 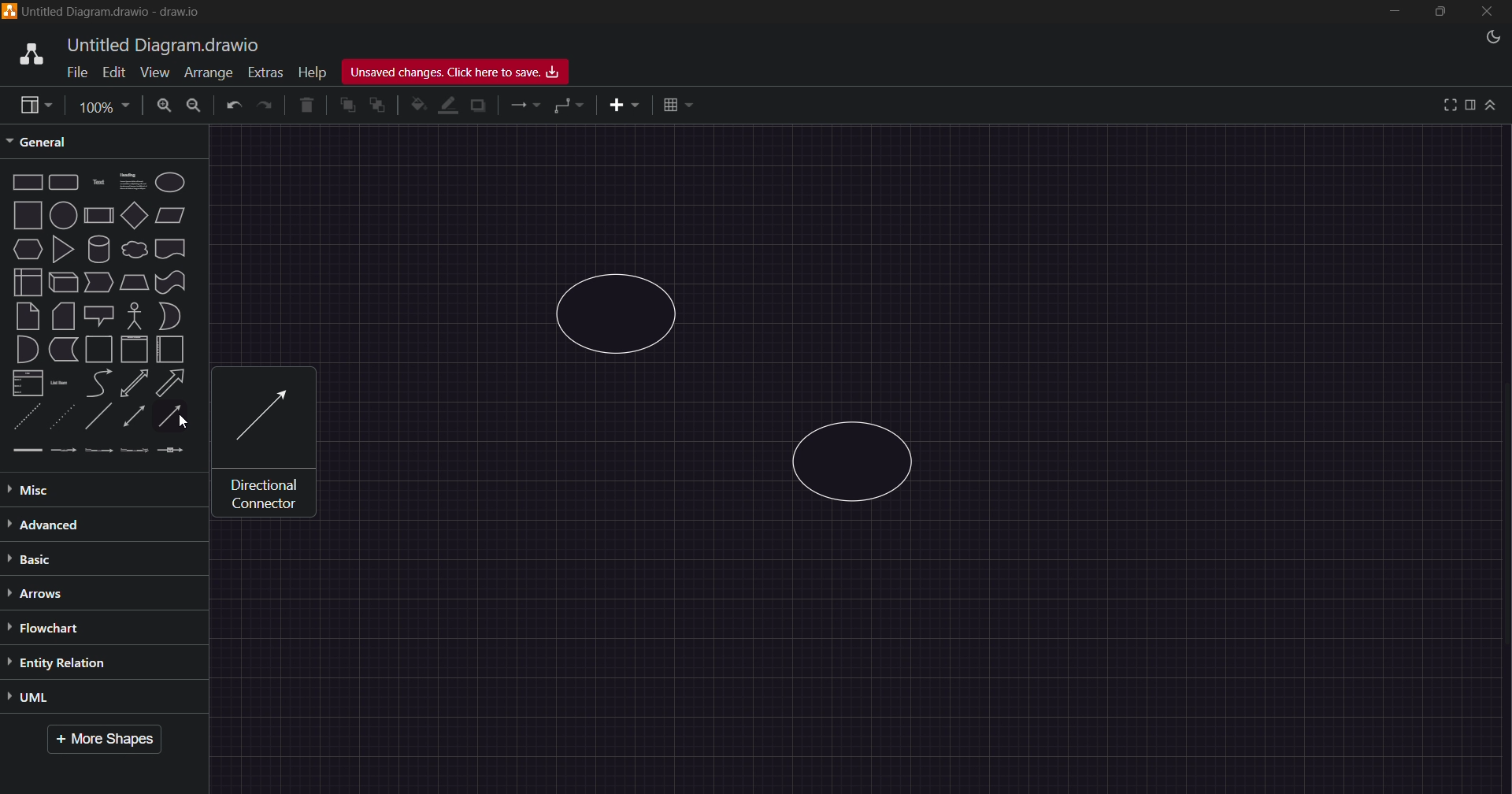 I want to click on Extras, so click(x=265, y=70).